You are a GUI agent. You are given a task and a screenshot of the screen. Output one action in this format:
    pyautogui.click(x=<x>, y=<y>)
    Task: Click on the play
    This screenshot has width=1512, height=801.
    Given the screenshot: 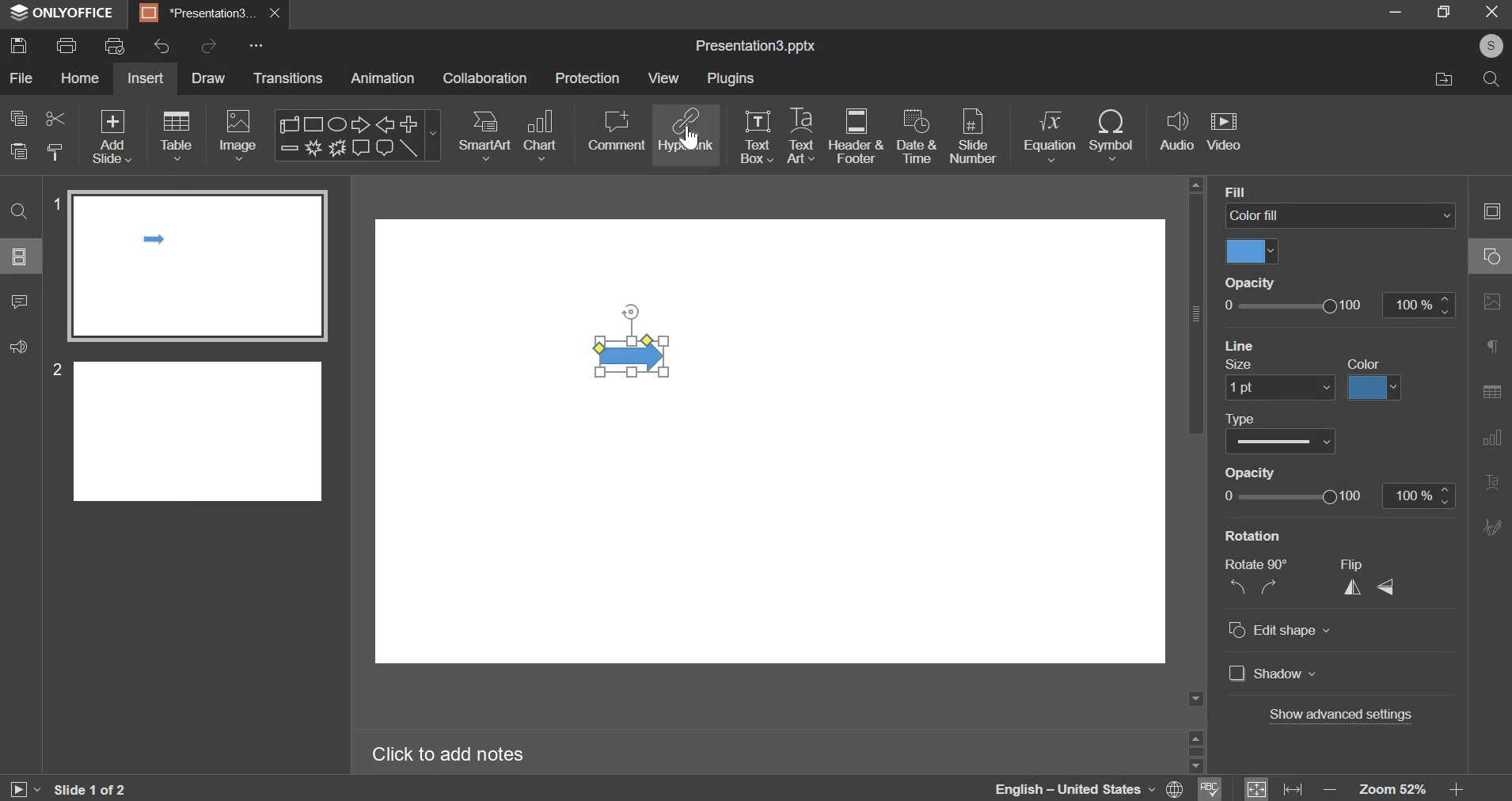 What is the action you would take?
    pyautogui.click(x=24, y=790)
    